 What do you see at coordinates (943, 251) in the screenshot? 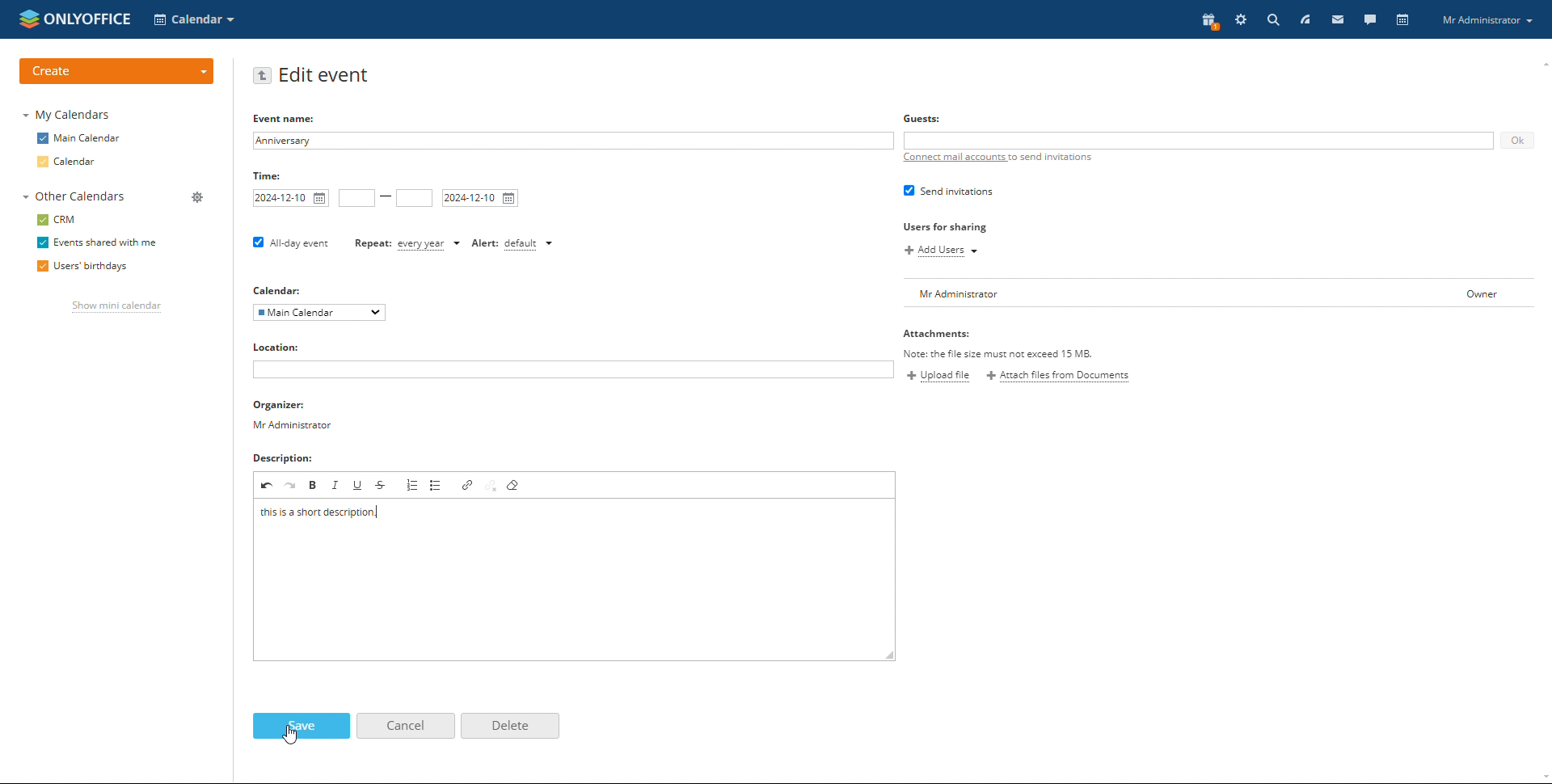
I see `add users` at bounding box center [943, 251].